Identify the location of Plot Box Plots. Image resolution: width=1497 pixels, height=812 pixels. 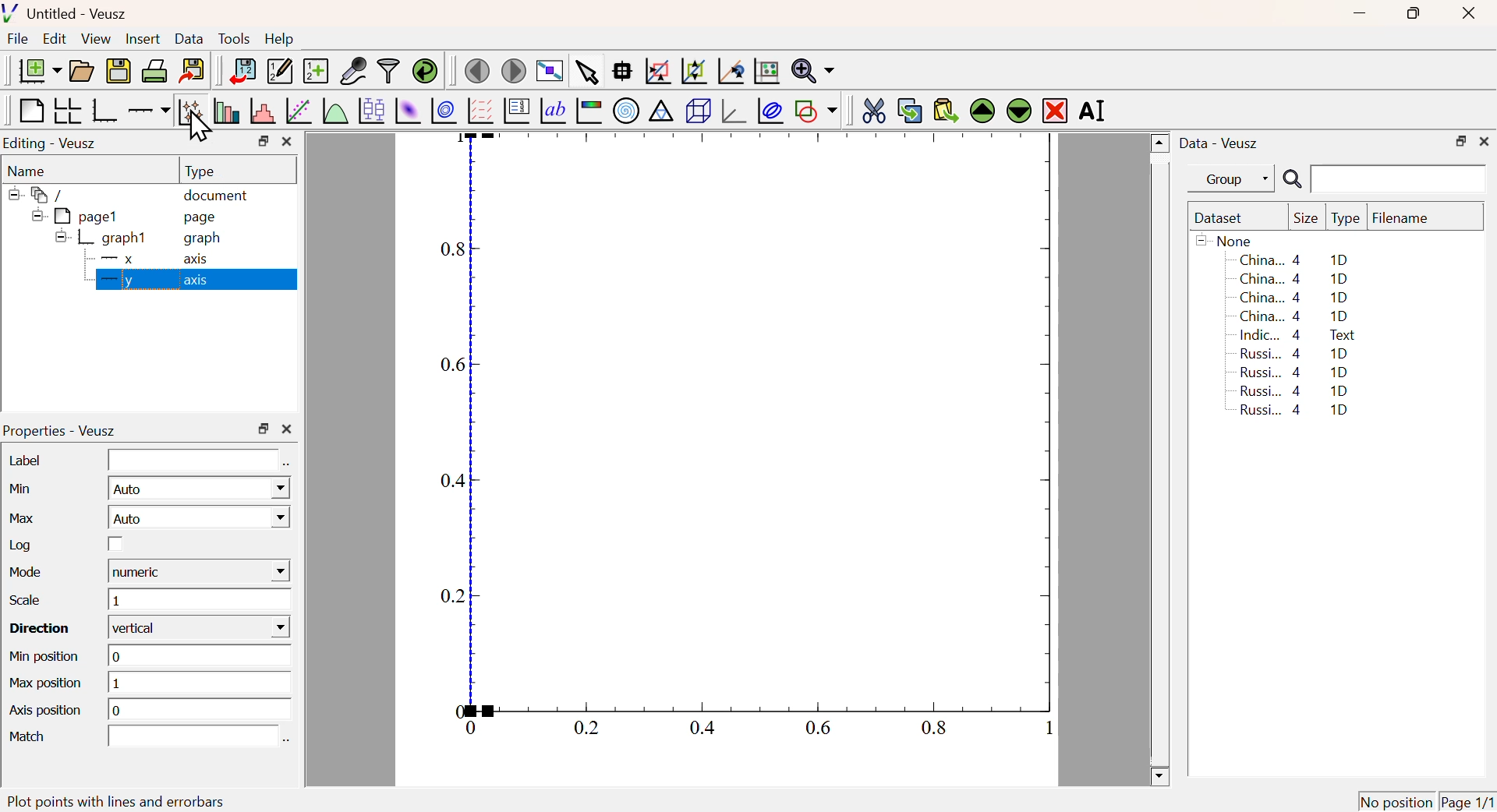
(370, 110).